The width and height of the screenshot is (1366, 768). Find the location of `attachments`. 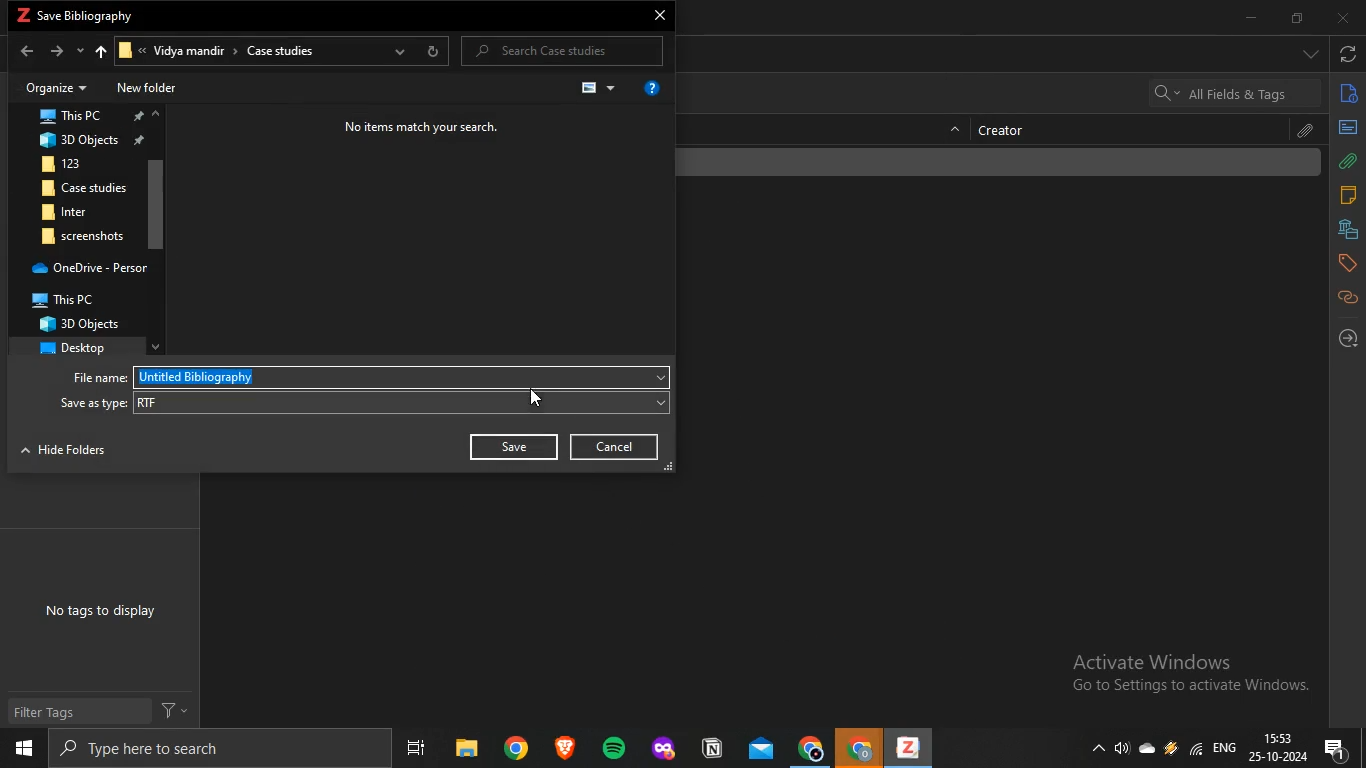

attachments is located at coordinates (1348, 161).